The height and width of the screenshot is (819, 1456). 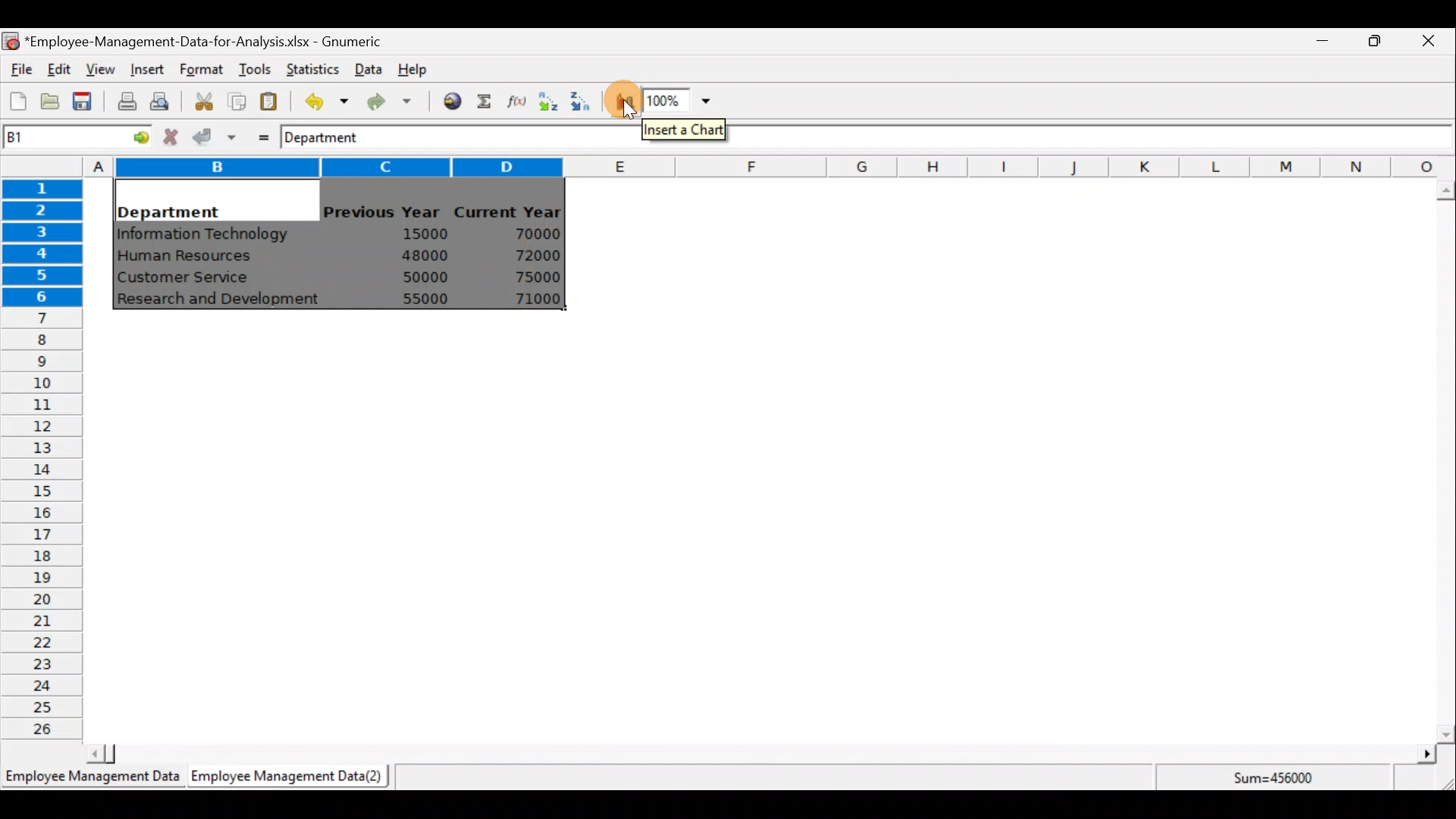 I want to click on Statistics, so click(x=309, y=67).